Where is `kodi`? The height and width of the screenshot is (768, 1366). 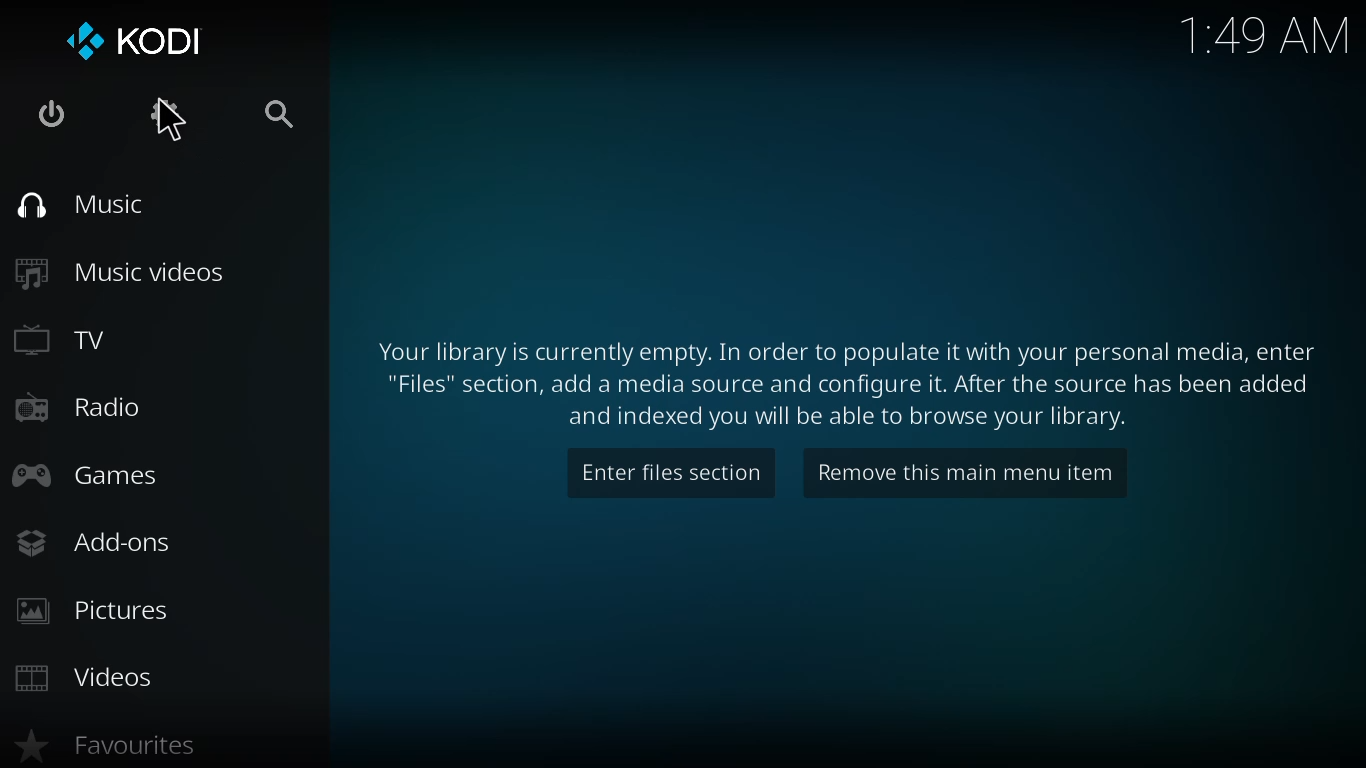
kodi is located at coordinates (128, 37).